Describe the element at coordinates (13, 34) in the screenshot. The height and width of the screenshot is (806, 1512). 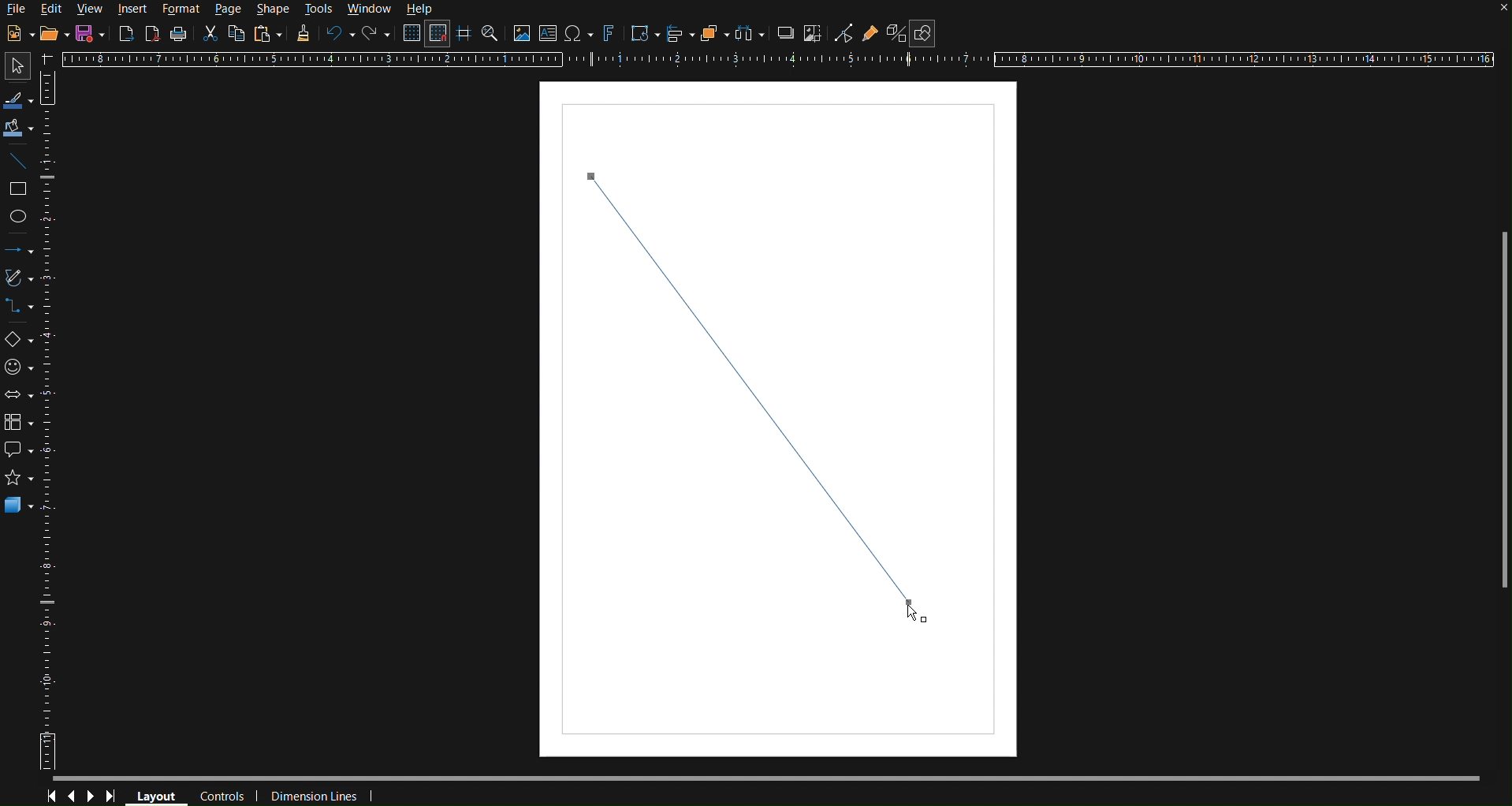
I see `` at that location.